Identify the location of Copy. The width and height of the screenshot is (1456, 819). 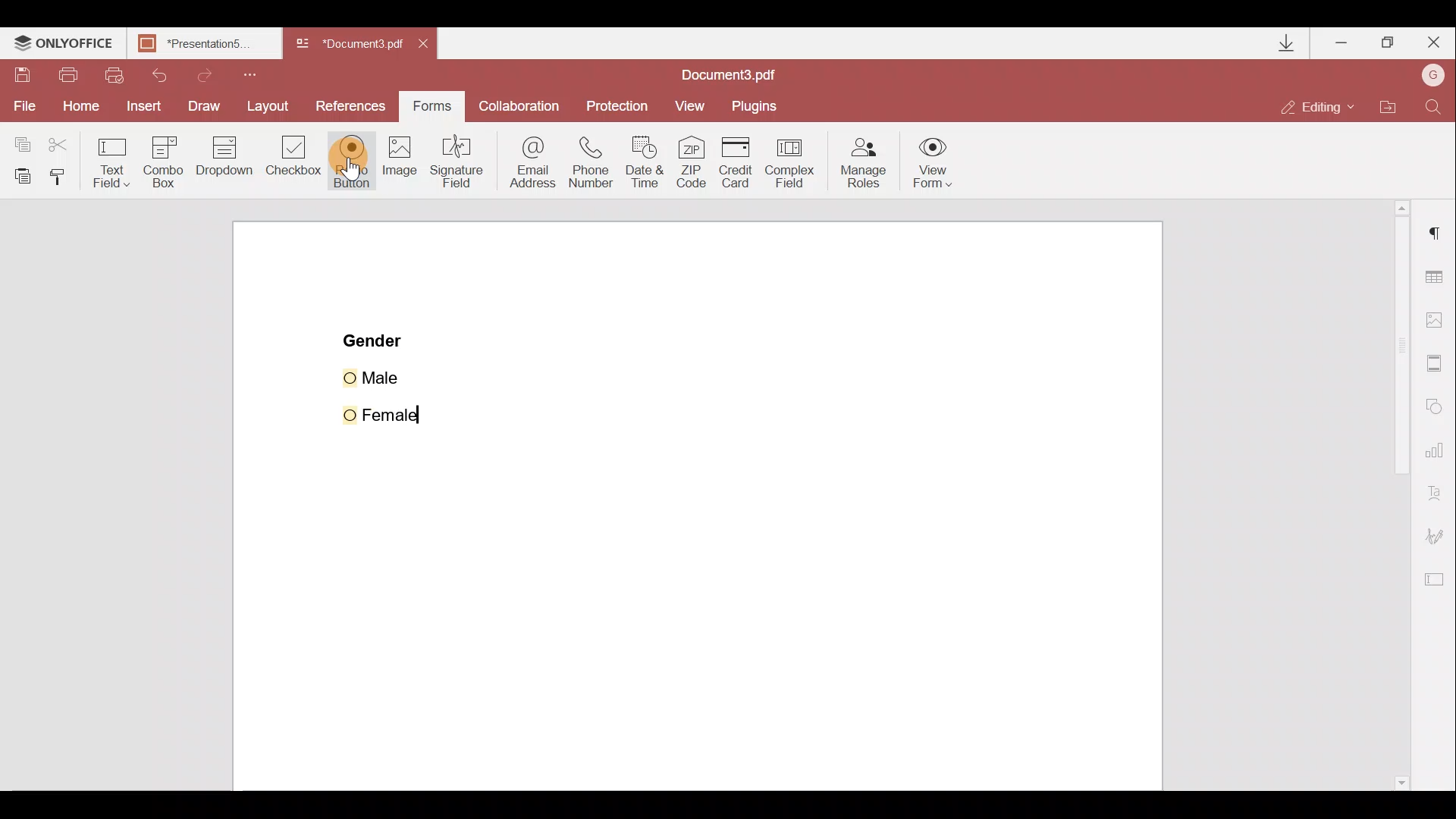
(19, 140).